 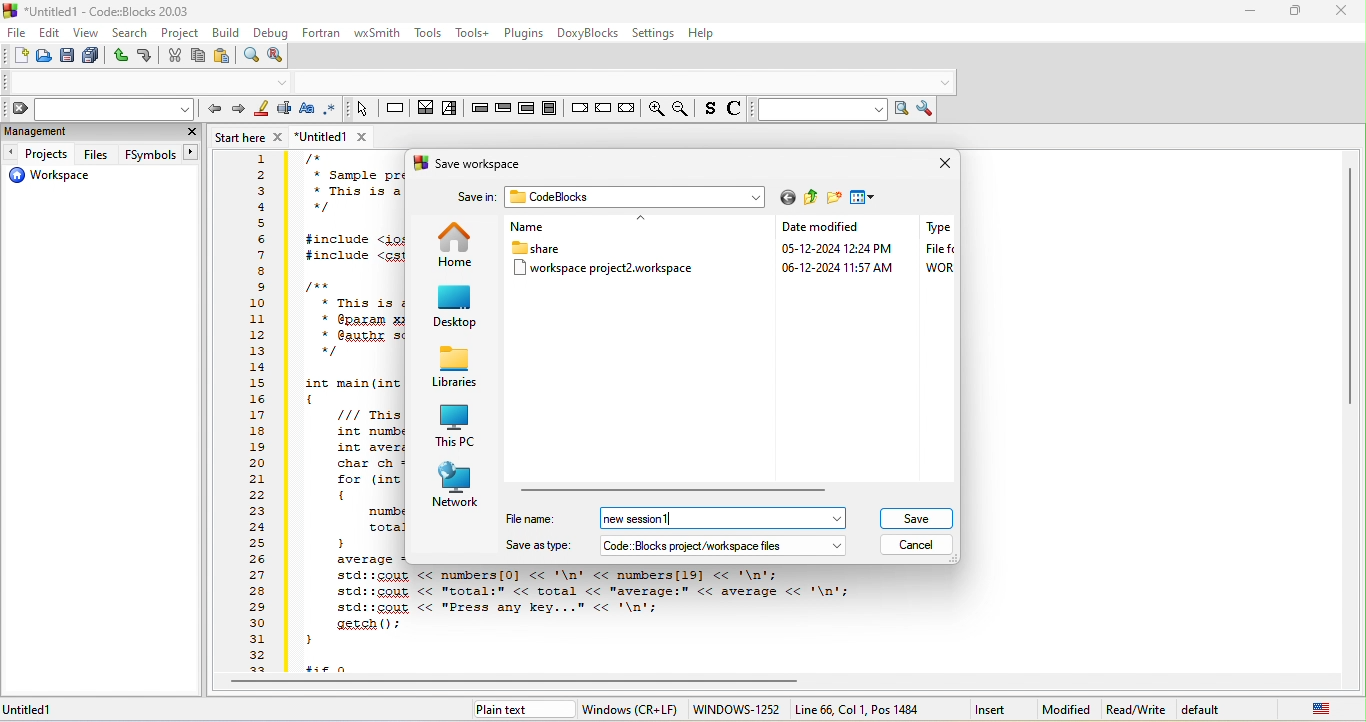 What do you see at coordinates (672, 520) in the screenshot?
I see `typing cursor` at bounding box center [672, 520].